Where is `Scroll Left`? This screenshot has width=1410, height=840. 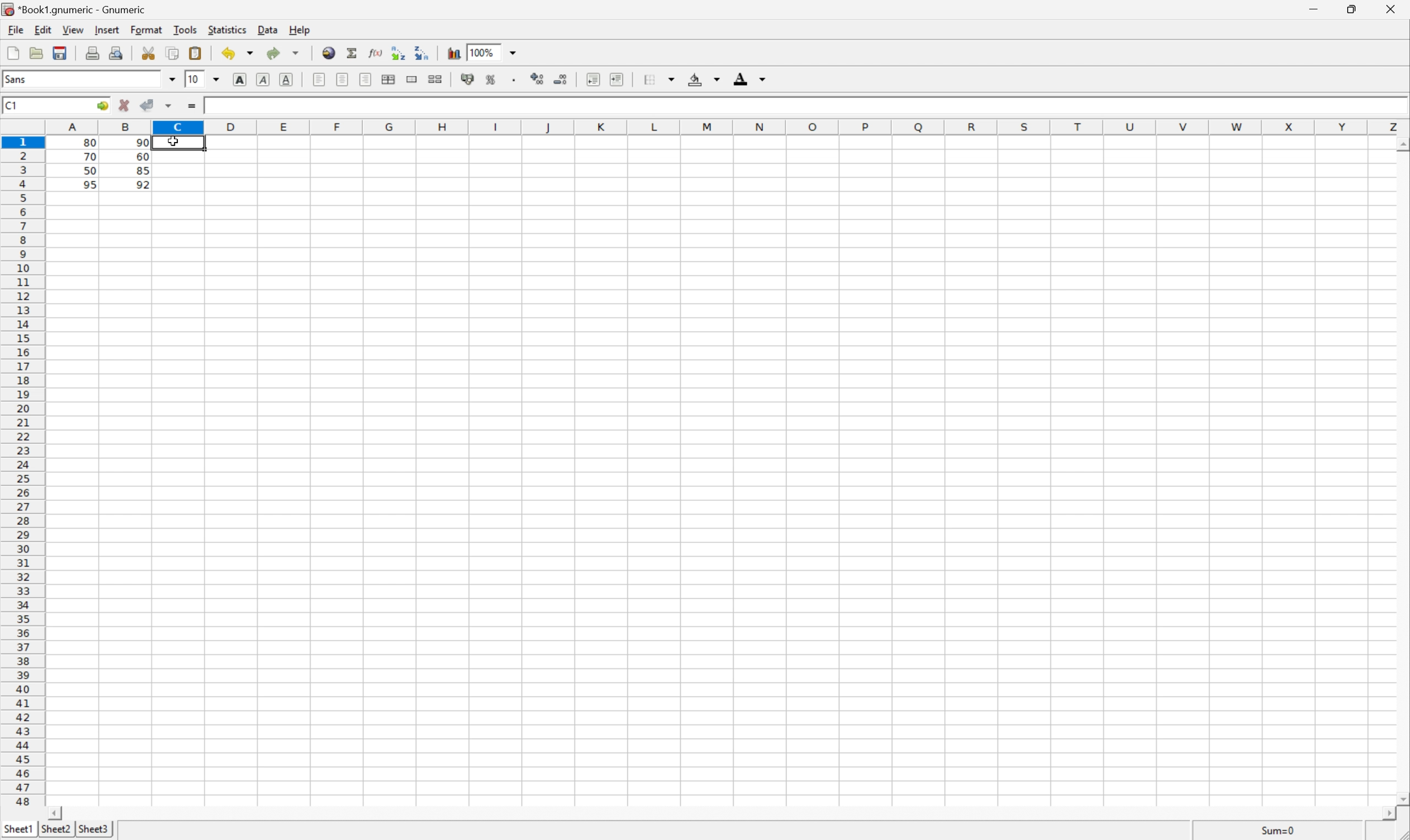
Scroll Left is located at coordinates (59, 809).